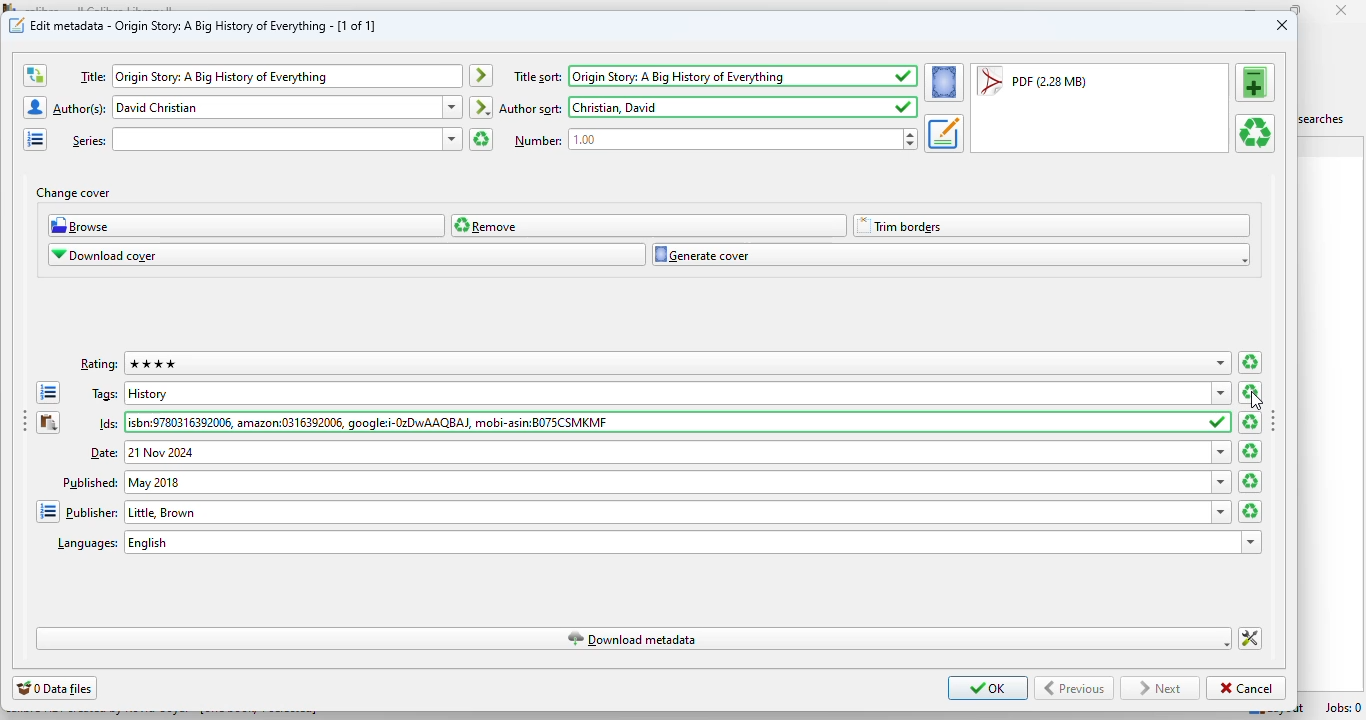  I want to click on dropdown, so click(1221, 364).